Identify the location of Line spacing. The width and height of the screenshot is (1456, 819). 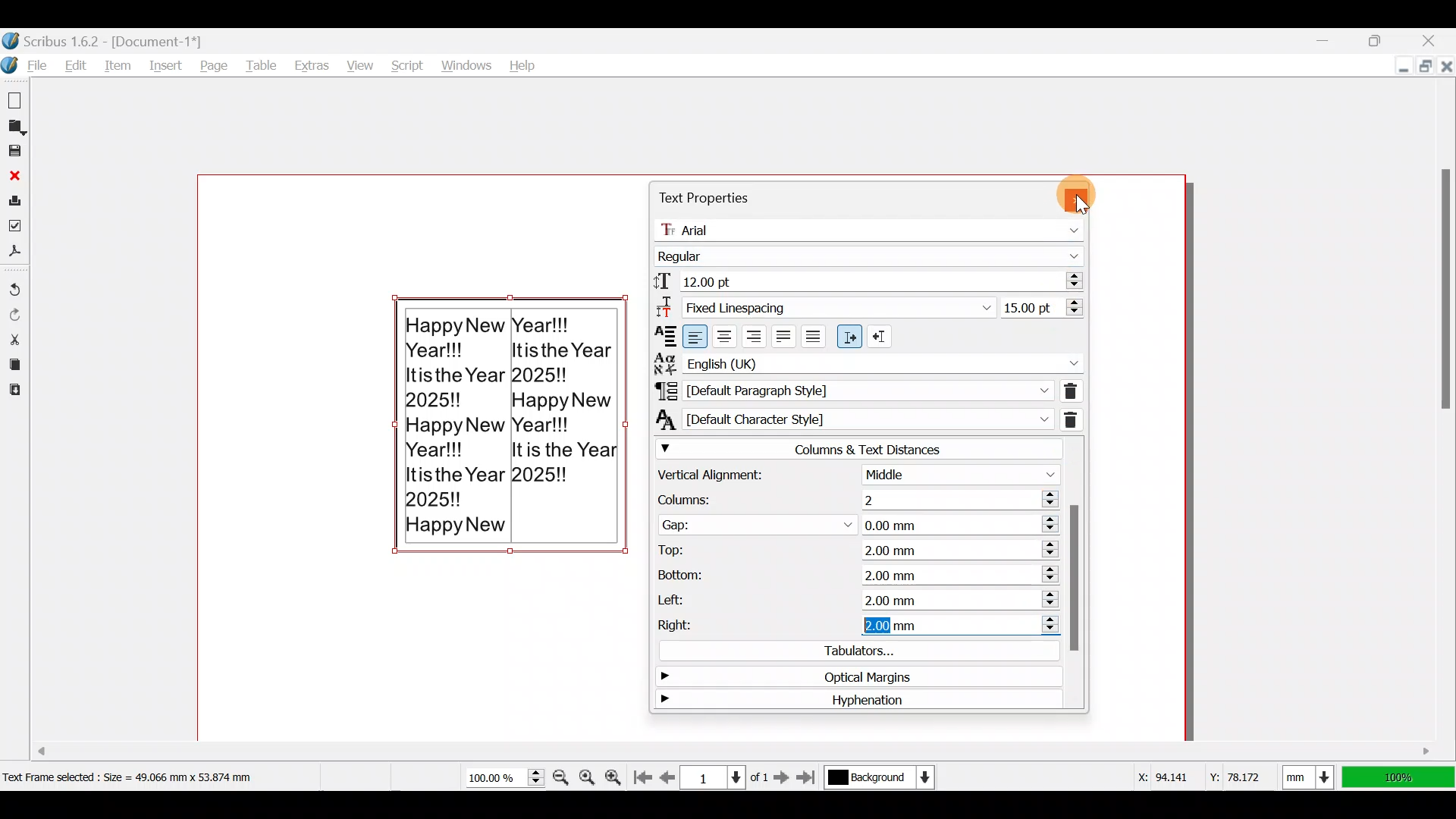
(1042, 306).